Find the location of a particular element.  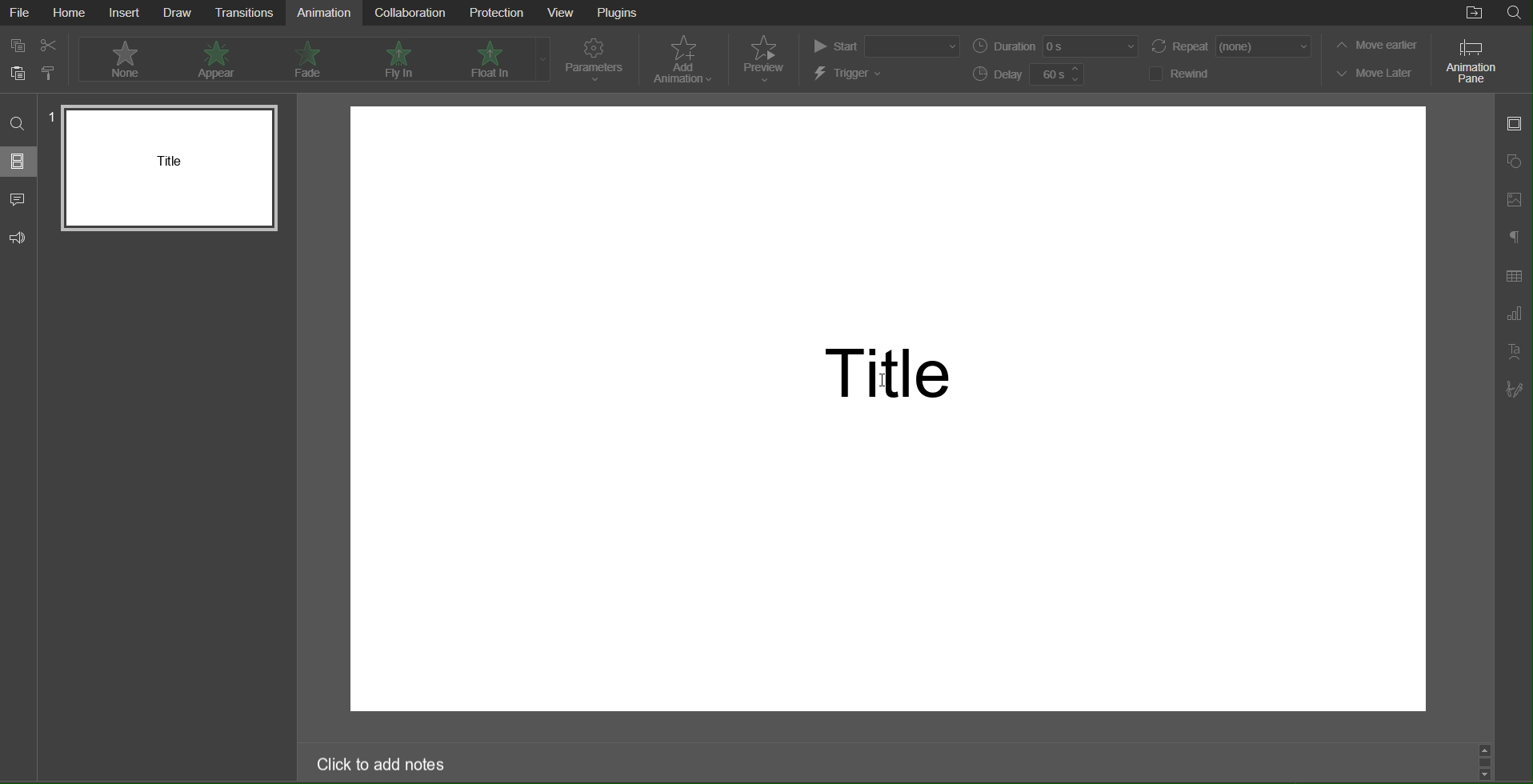

Search is located at coordinates (19, 122).